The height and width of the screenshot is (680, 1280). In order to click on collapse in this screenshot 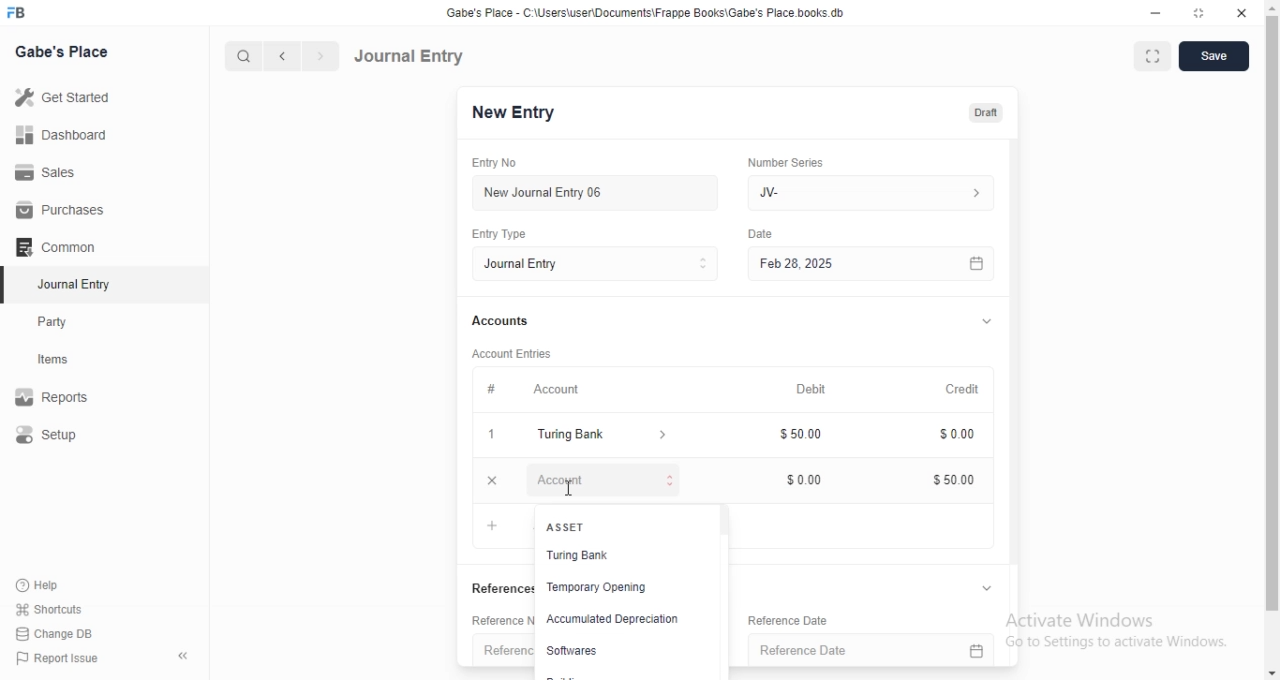, I will do `click(986, 323)`.